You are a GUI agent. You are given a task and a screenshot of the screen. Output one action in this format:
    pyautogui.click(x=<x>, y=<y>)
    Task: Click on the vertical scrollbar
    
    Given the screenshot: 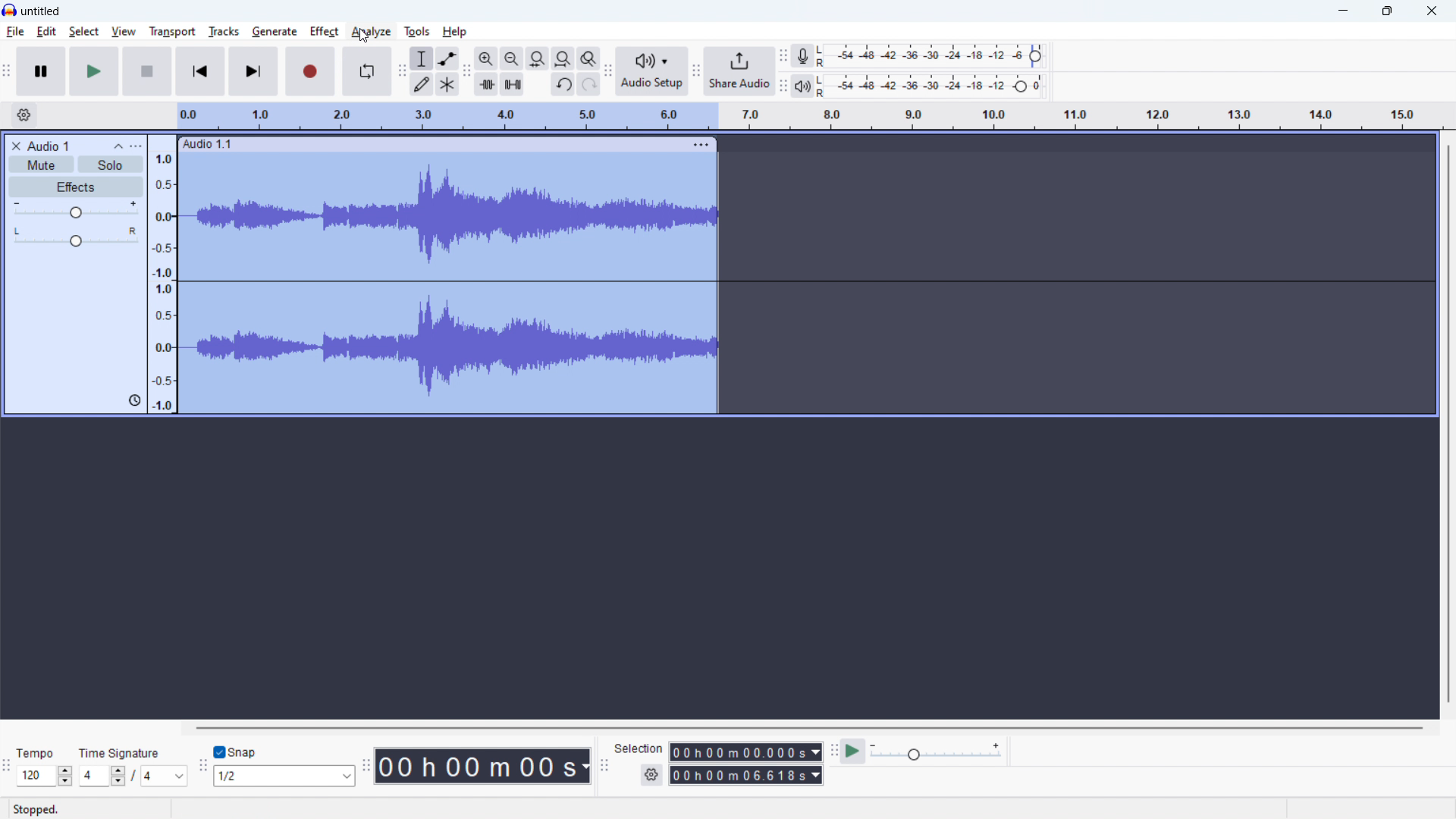 What is the action you would take?
    pyautogui.click(x=1446, y=422)
    